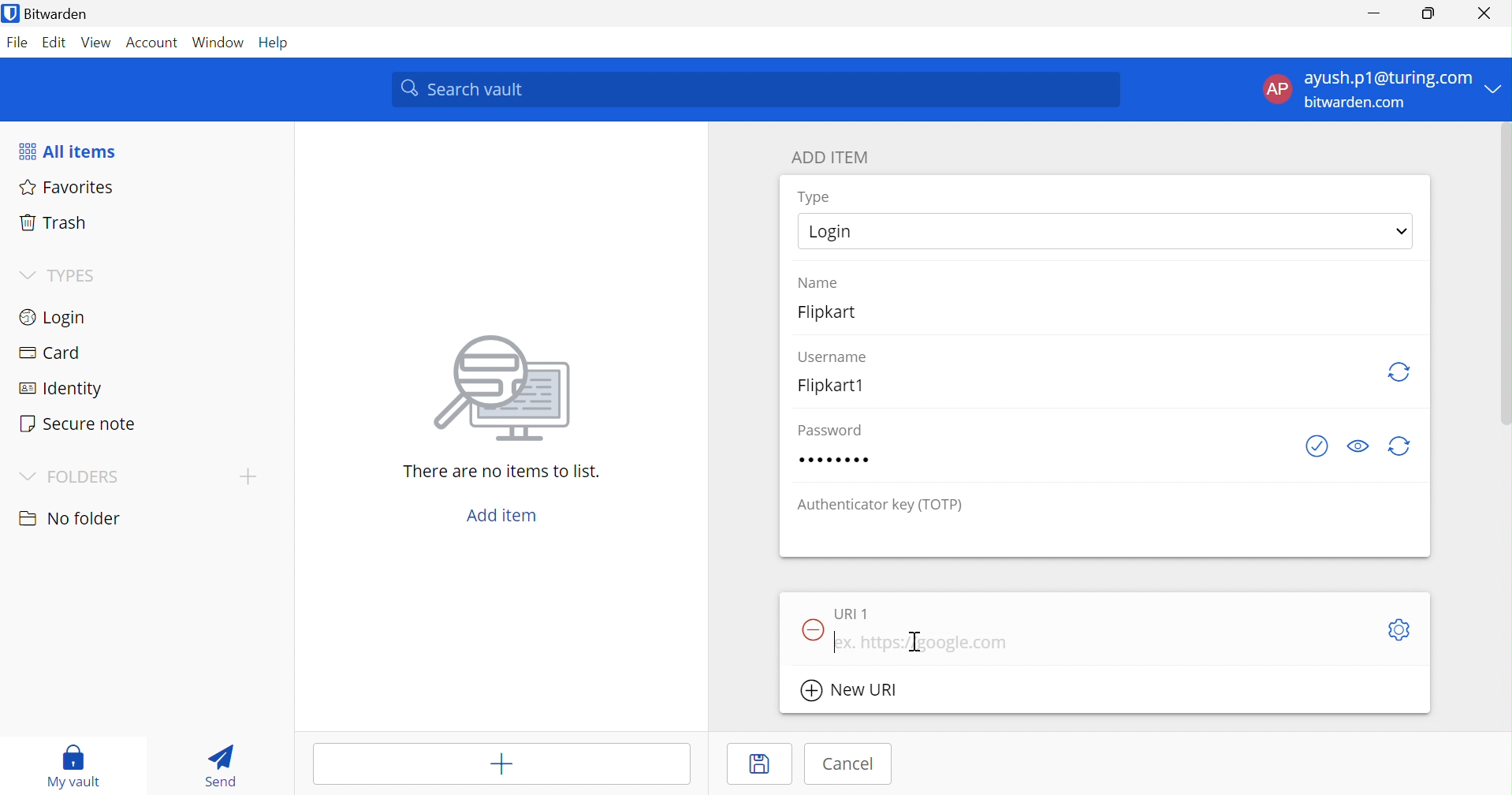 This screenshot has height=795, width=1512. What do you see at coordinates (757, 767) in the screenshot?
I see `Save` at bounding box center [757, 767].